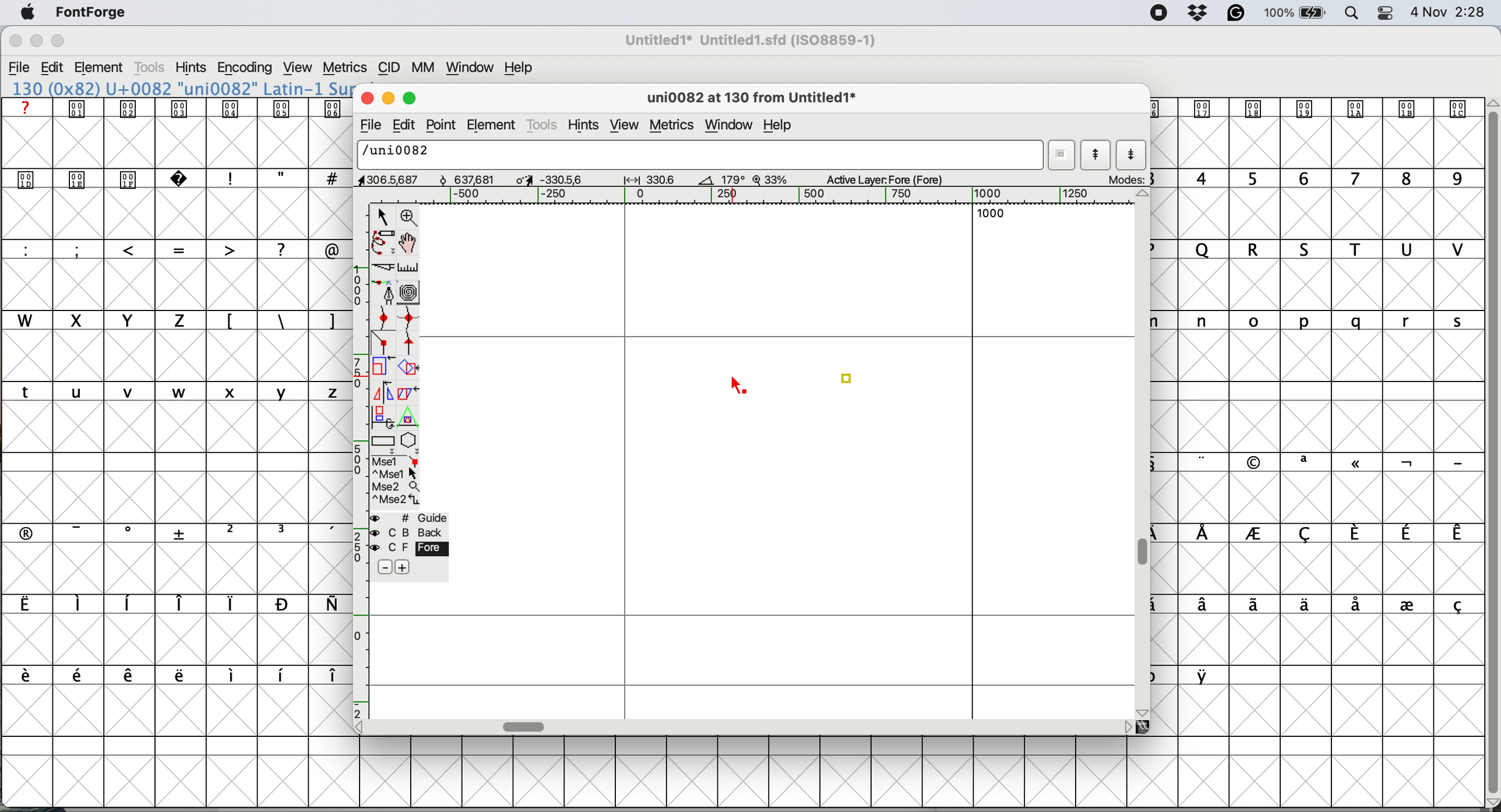 Image resolution: width=1501 pixels, height=812 pixels. What do you see at coordinates (152, 68) in the screenshot?
I see `tools` at bounding box center [152, 68].